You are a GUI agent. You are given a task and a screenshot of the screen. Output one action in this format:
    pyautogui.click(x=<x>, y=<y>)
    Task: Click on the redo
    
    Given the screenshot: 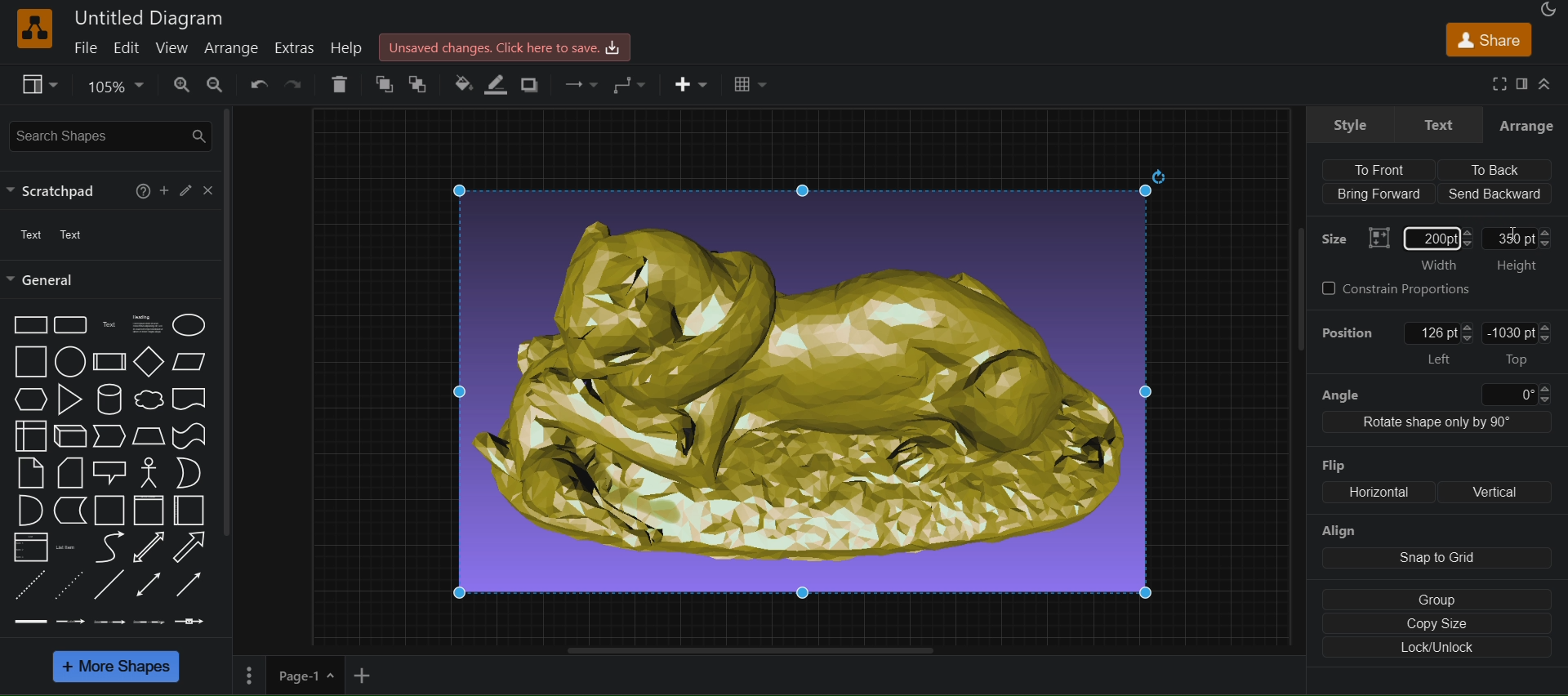 What is the action you would take?
    pyautogui.click(x=295, y=84)
    